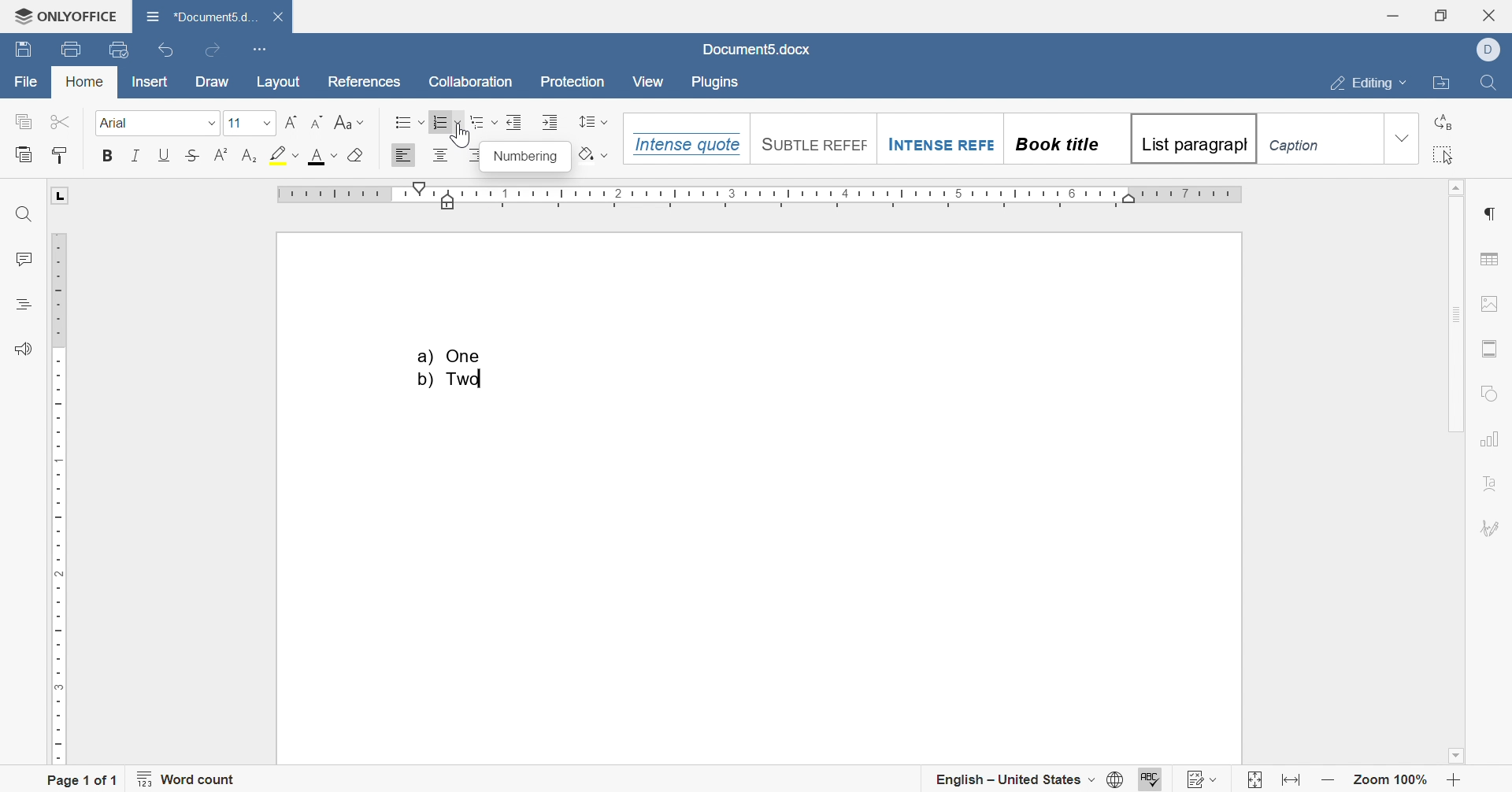 The image size is (1512, 792). What do you see at coordinates (23, 51) in the screenshot?
I see `save` at bounding box center [23, 51].